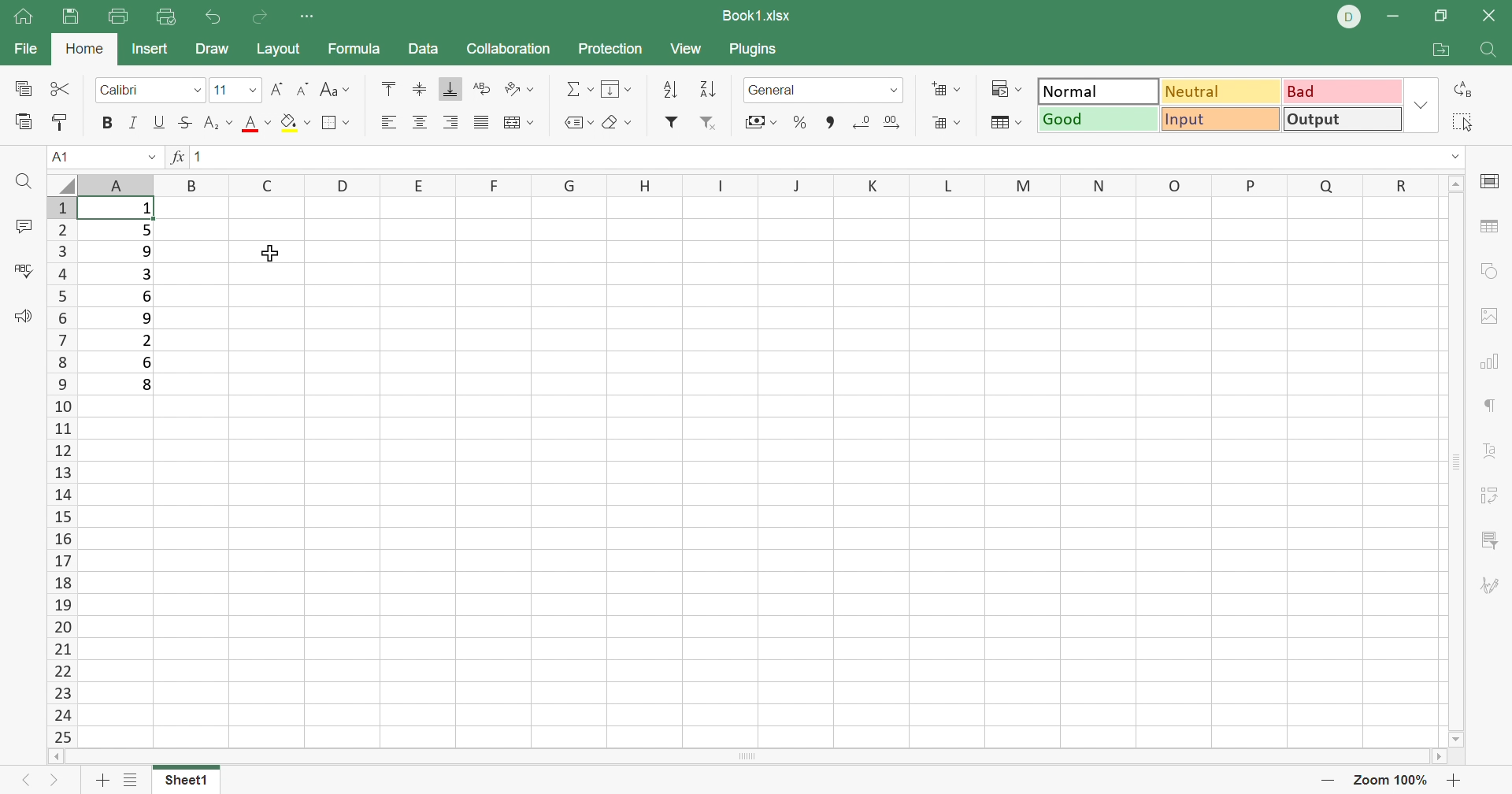 The height and width of the screenshot is (794, 1512). What do you see at coordinates (1492, 589) in the screenshot?
I see `Signature settings` at bounding box center [1492, 589].